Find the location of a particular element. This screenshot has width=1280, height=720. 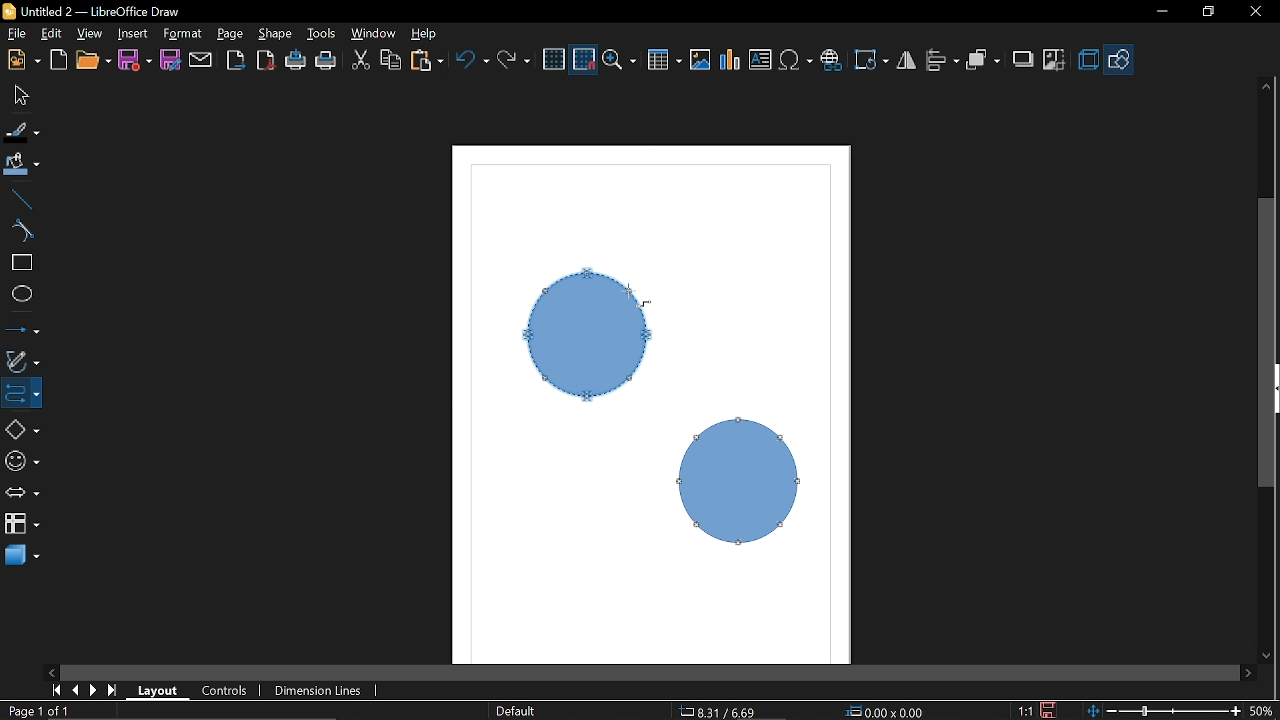

Open template is located at coordinates (58, 60).